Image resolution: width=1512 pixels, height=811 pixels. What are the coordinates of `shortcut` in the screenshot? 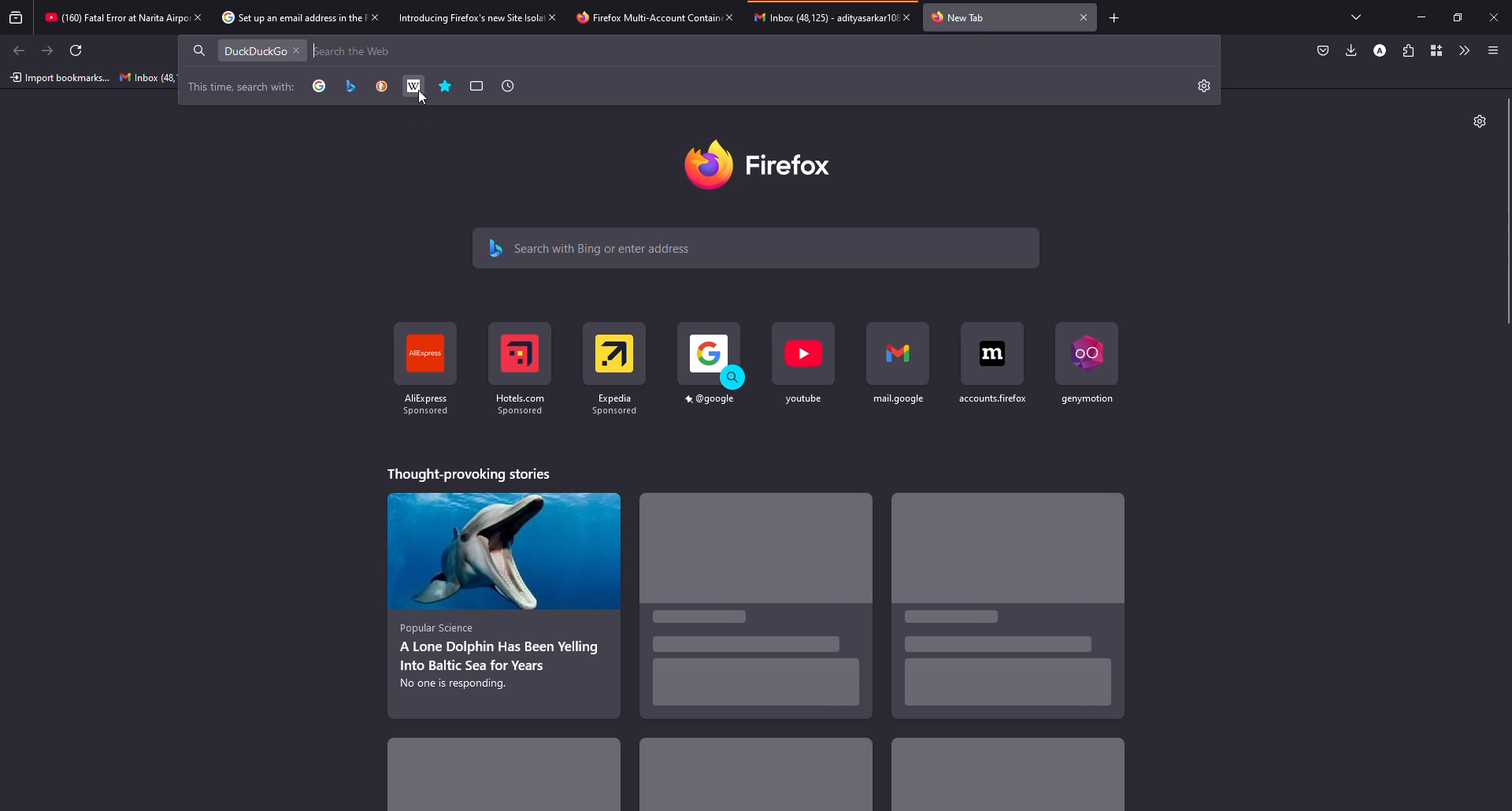 It's located at (989, 378).